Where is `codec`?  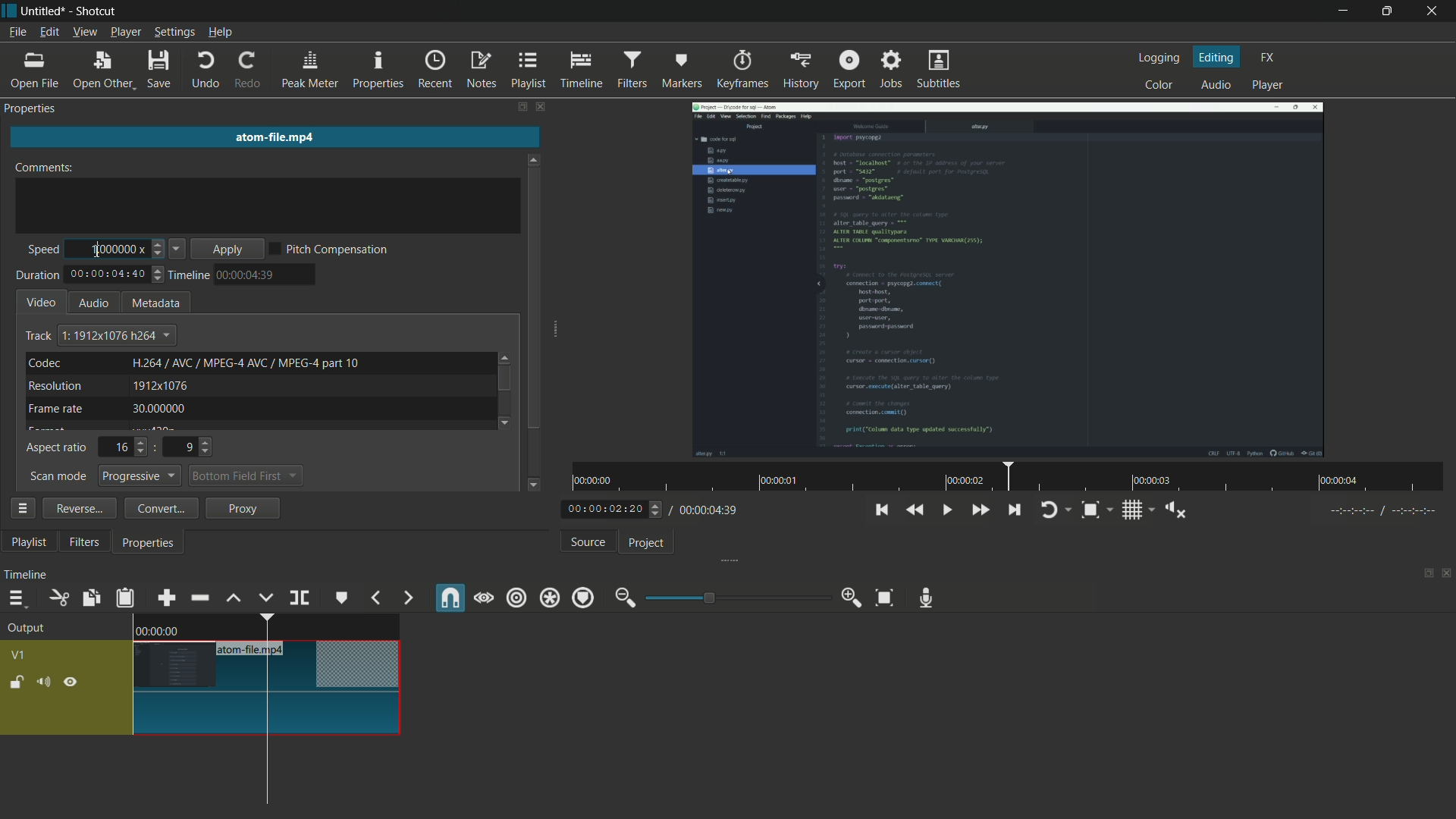 codec is located at coordinates (45, 362).